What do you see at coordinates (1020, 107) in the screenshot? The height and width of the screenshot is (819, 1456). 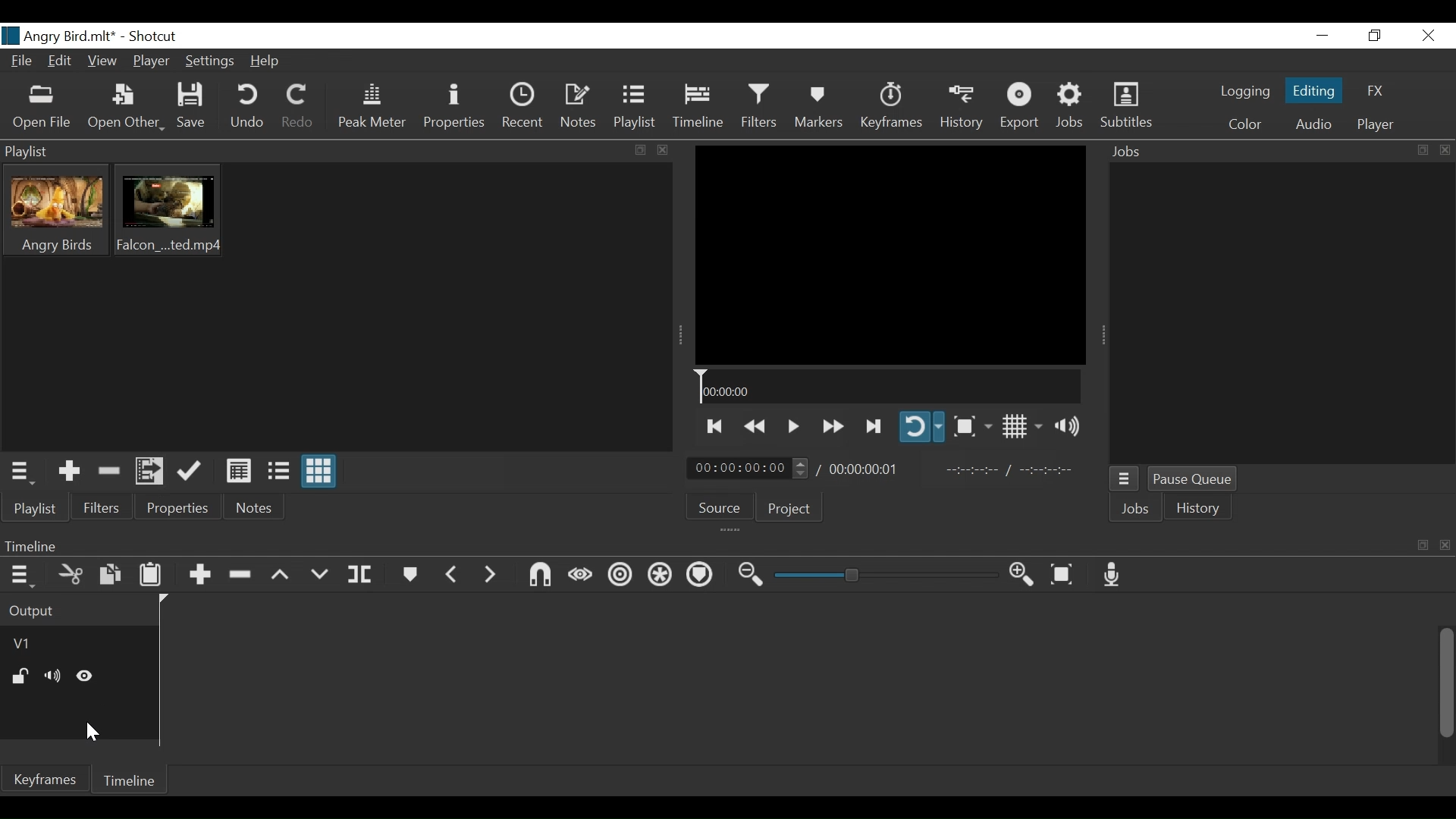 I see `Export` at bounding box center [1020, 107].